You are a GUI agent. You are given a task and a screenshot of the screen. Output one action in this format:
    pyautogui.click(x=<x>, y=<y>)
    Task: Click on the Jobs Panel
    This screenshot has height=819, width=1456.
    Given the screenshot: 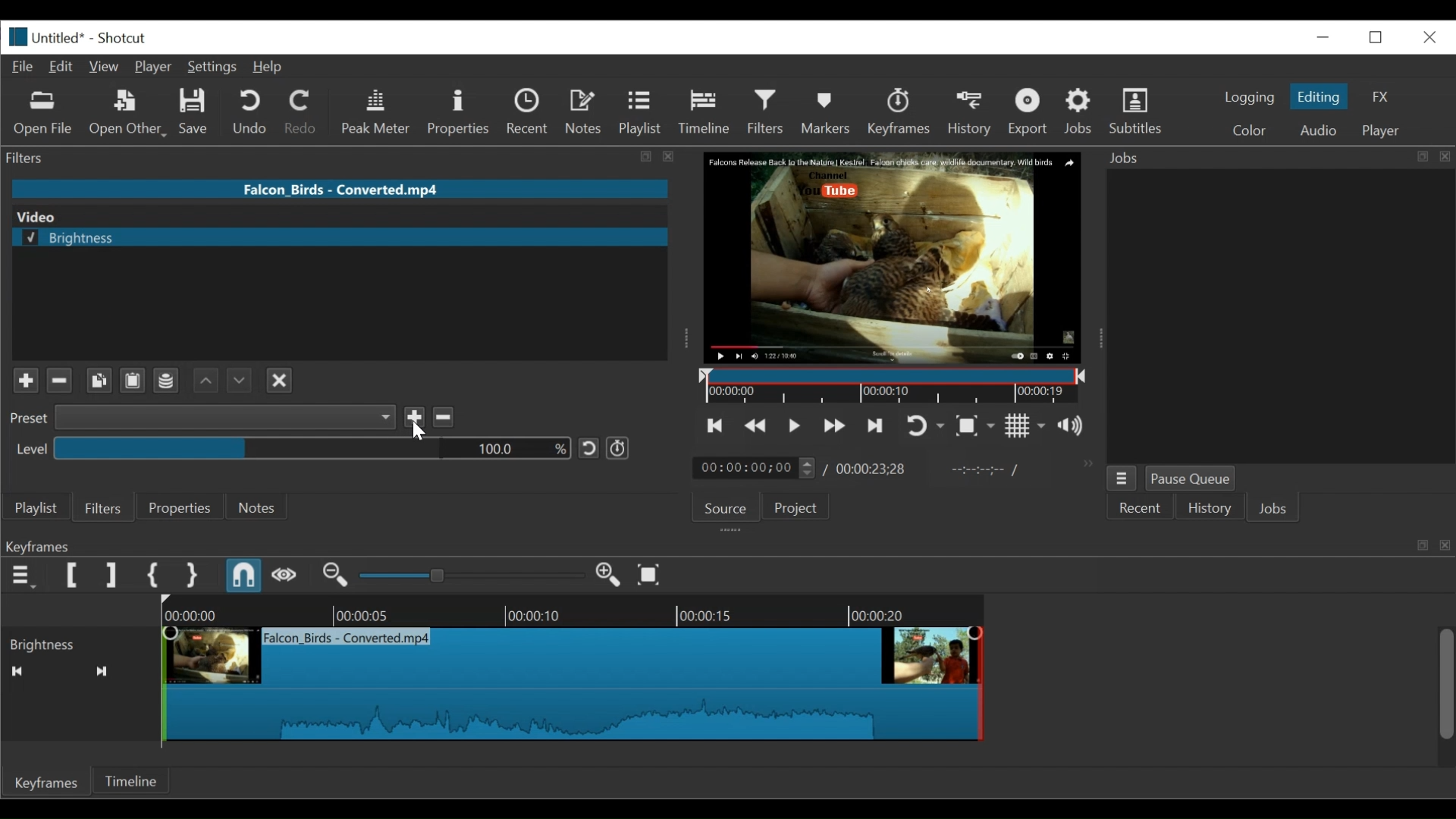 What is the action you would take?
    pyautogui.click(x=1276, y=158)
    